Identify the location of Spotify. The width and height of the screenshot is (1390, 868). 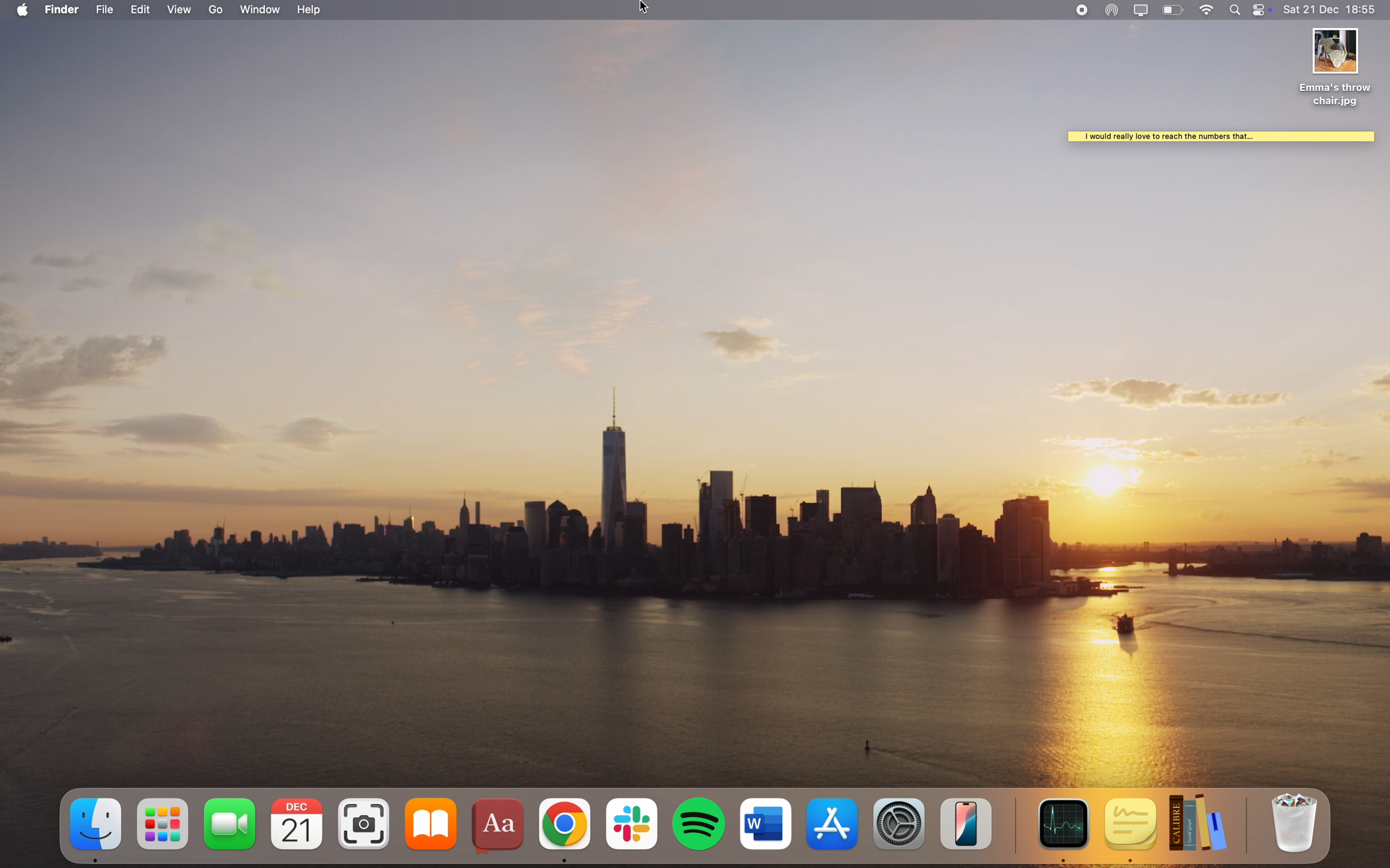
(700, 830).